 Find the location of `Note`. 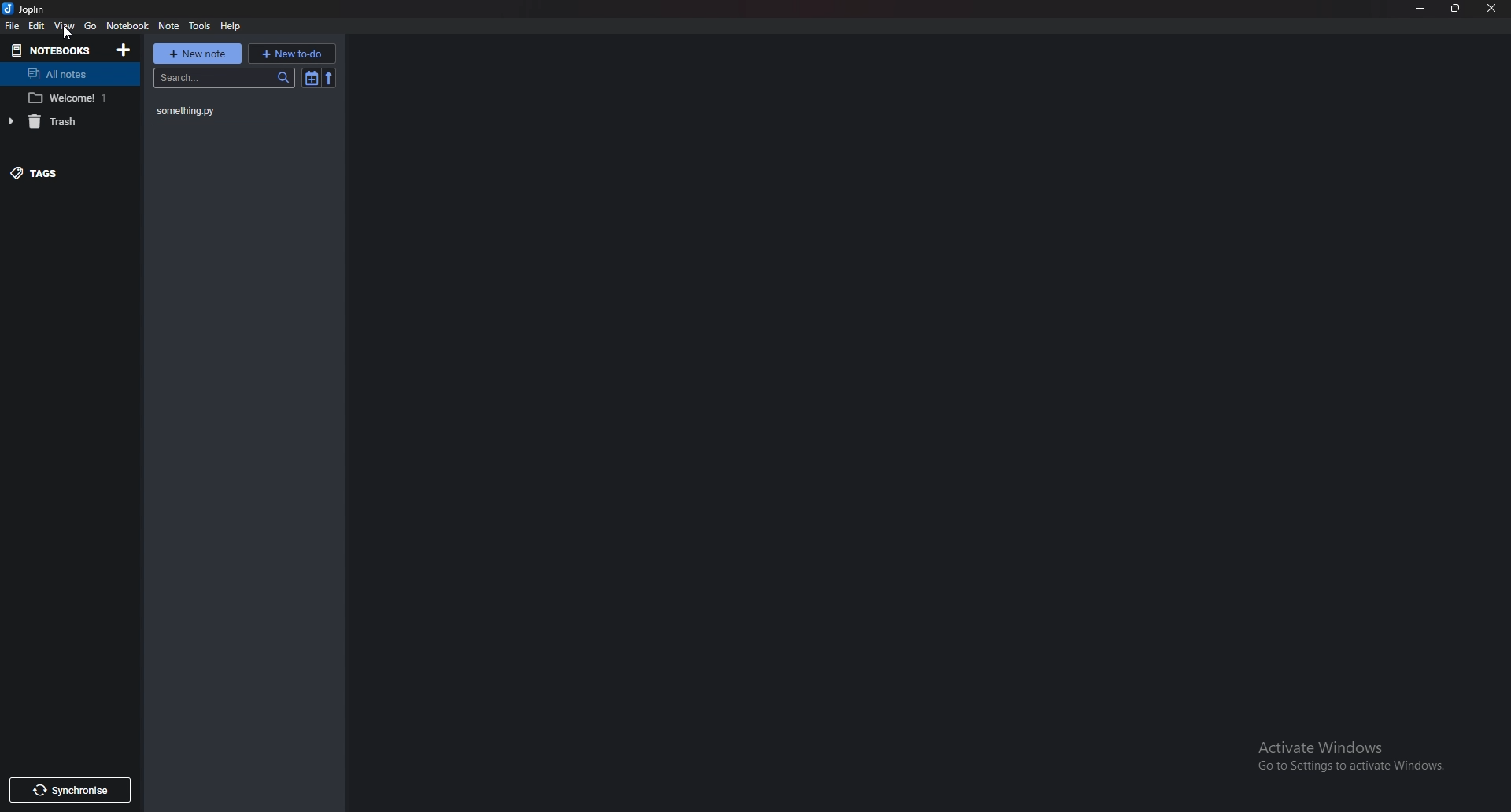

Note is located at coordinates (169, 26).